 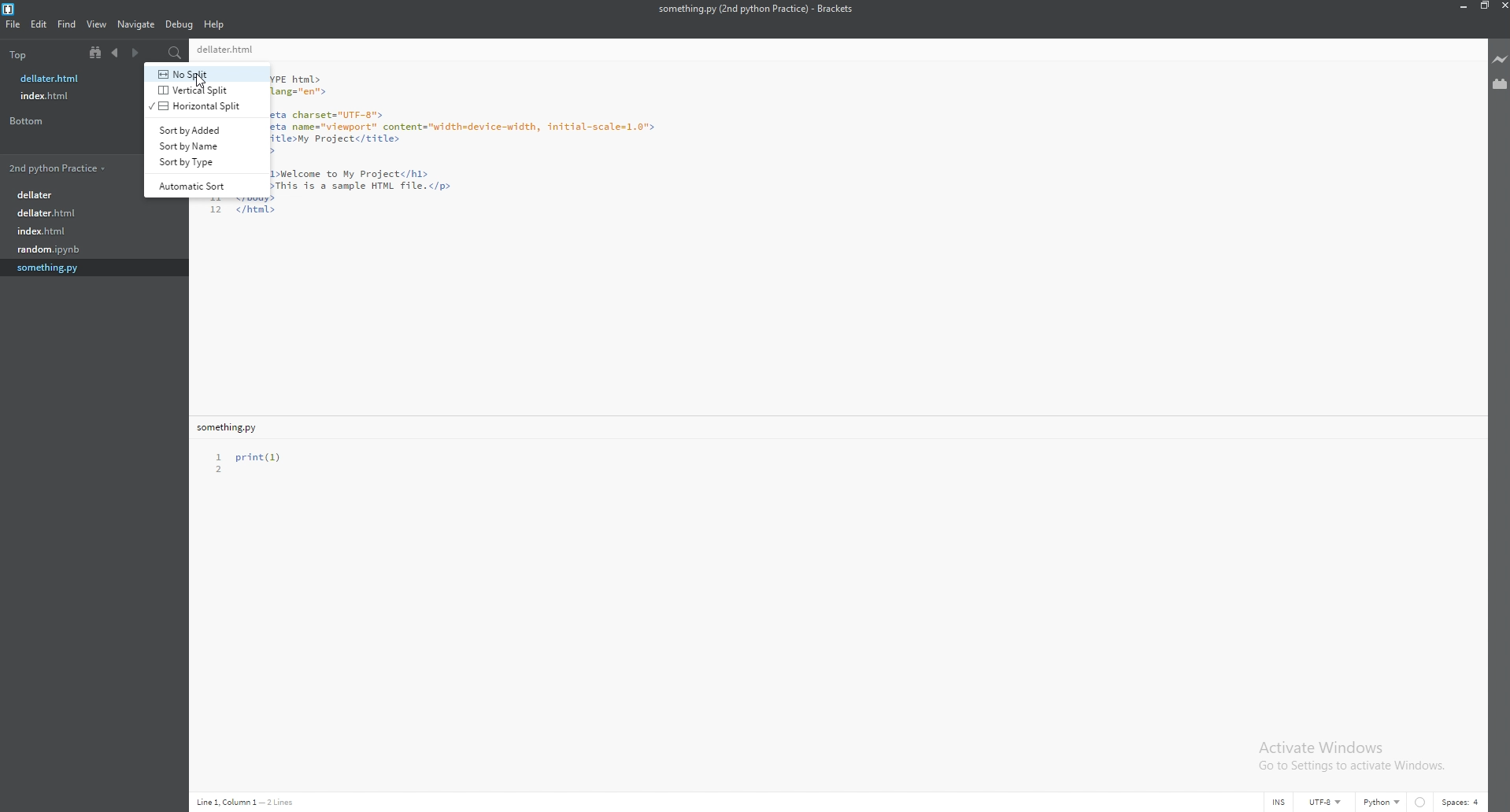 What do you see at coordinates (1279, 802) in the screenshot?
I see `cursor mode` at bounding box center [1279, 802].